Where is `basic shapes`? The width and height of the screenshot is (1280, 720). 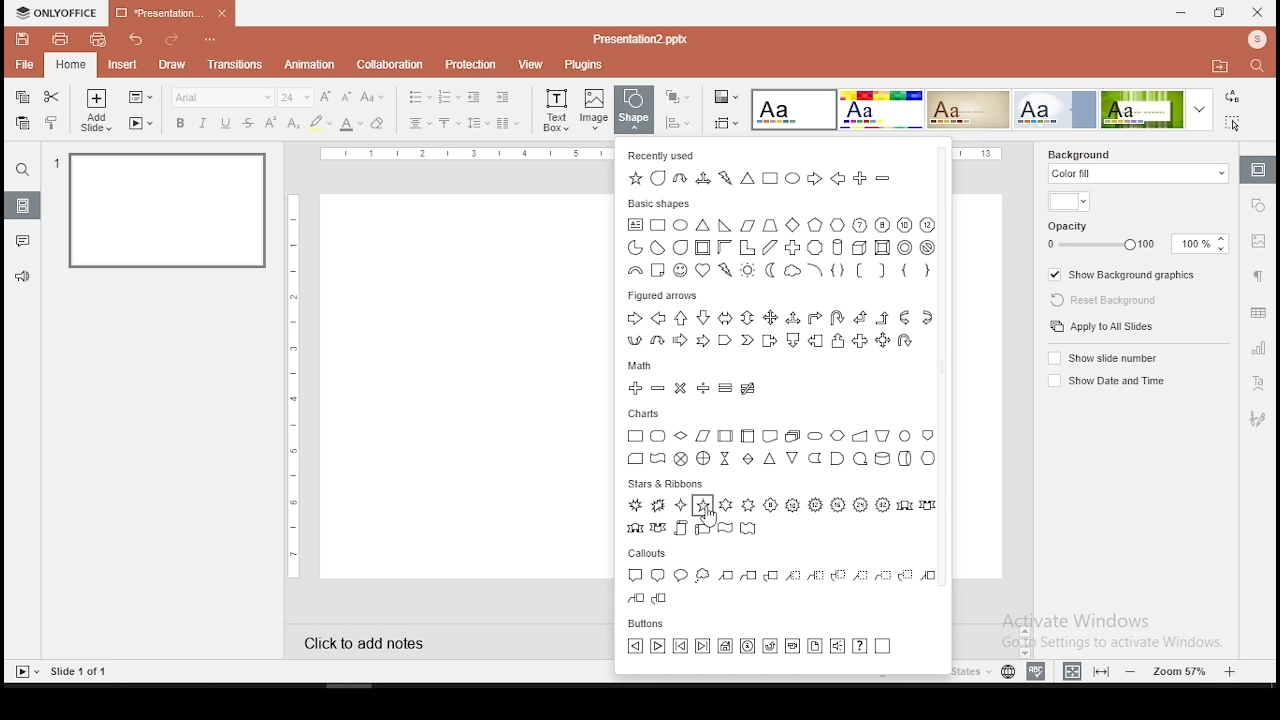
basic shapes is located at coordinates (786, 250).